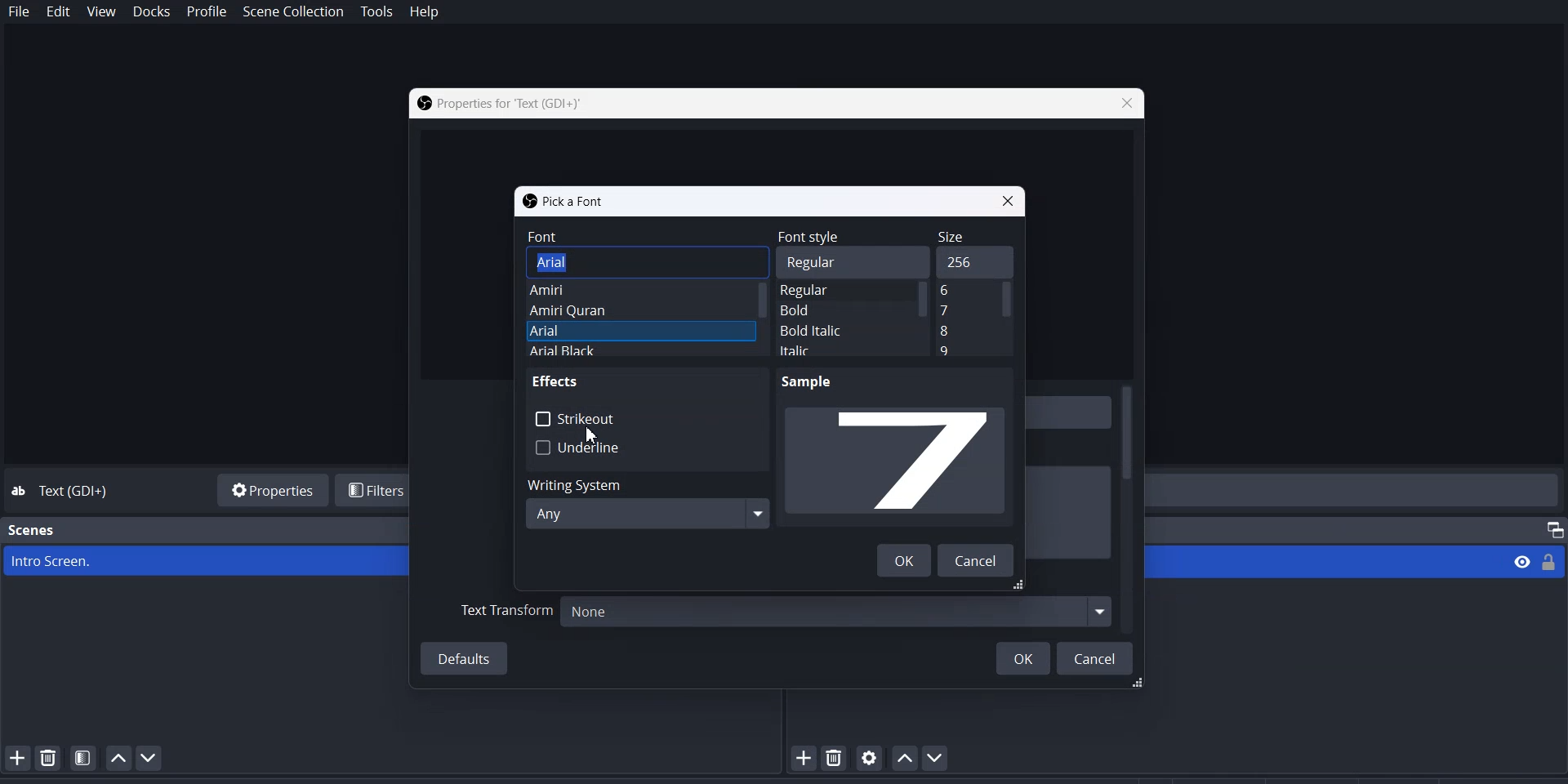 Image resolution: width=1568 pixels, height=784 pixels. Describe the element at coordinates (644, 482) in the screenshot. I see `Writing System` at that location.